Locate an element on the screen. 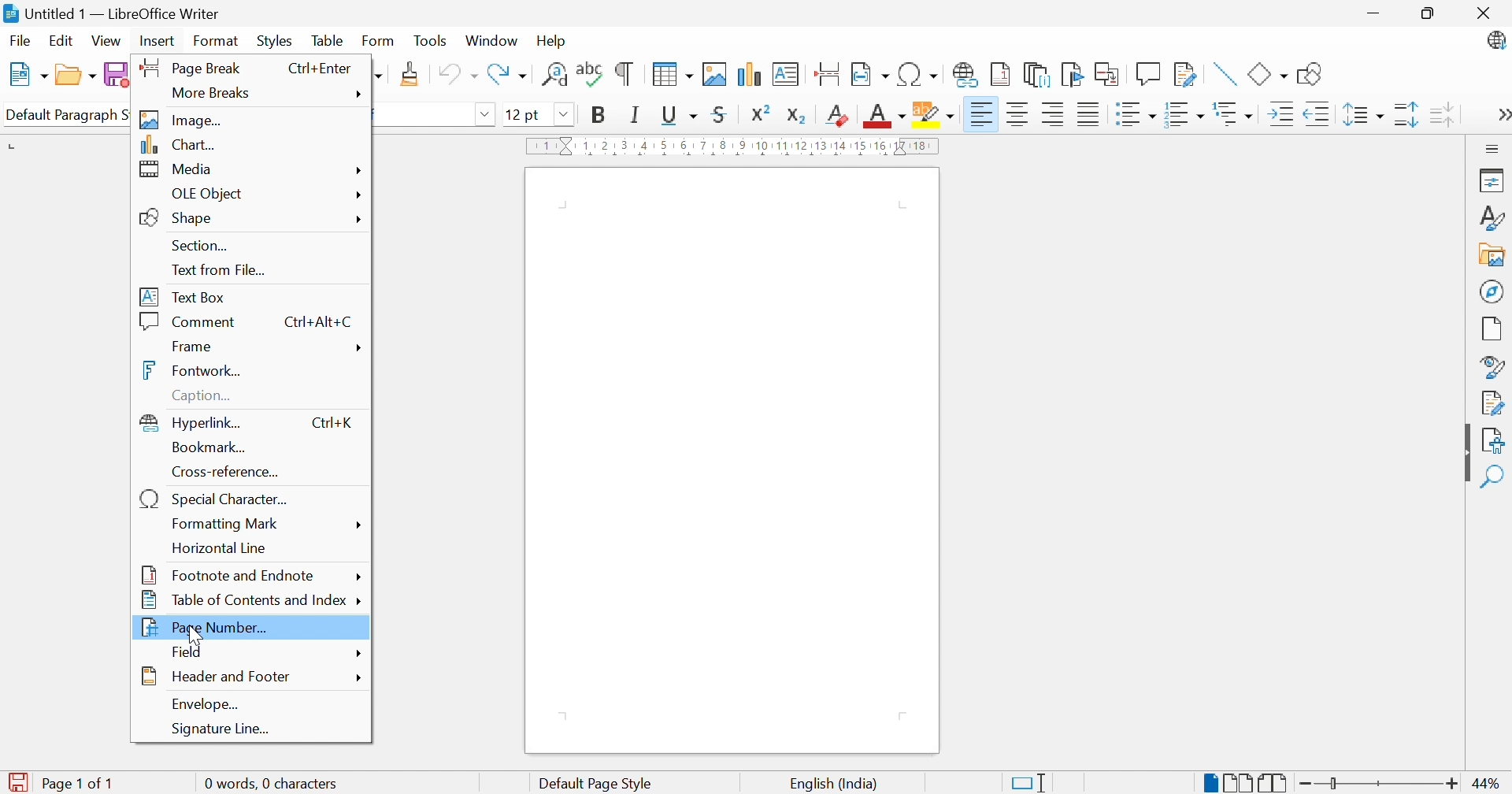 Image resolution: width=1512 pixels, height=794 pixels. Toggle formatting marks is located at coordinates (624, 74).